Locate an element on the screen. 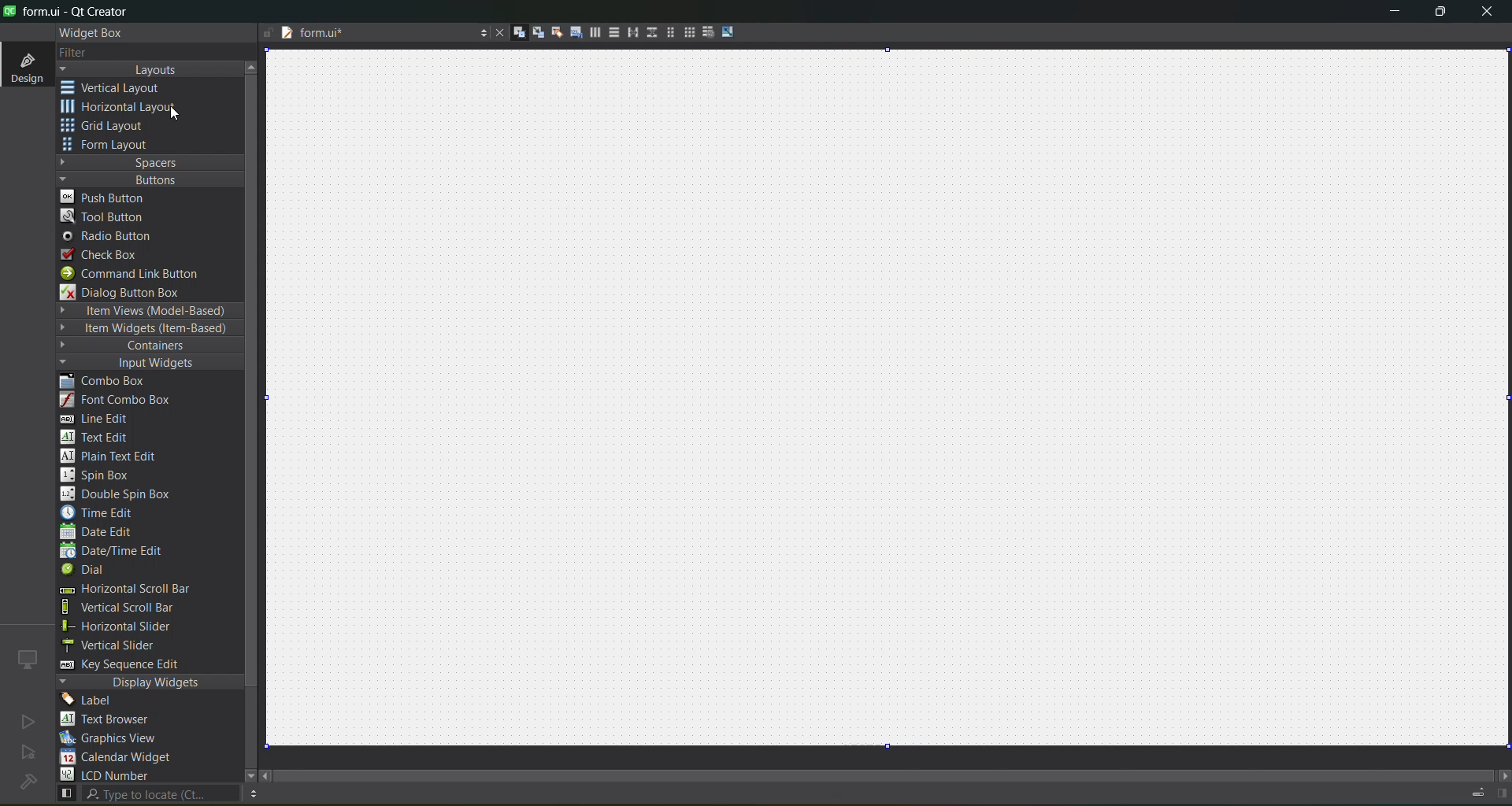 This screenshot has width=1512, height=806. maximize is located at coordinates (1441, 14).